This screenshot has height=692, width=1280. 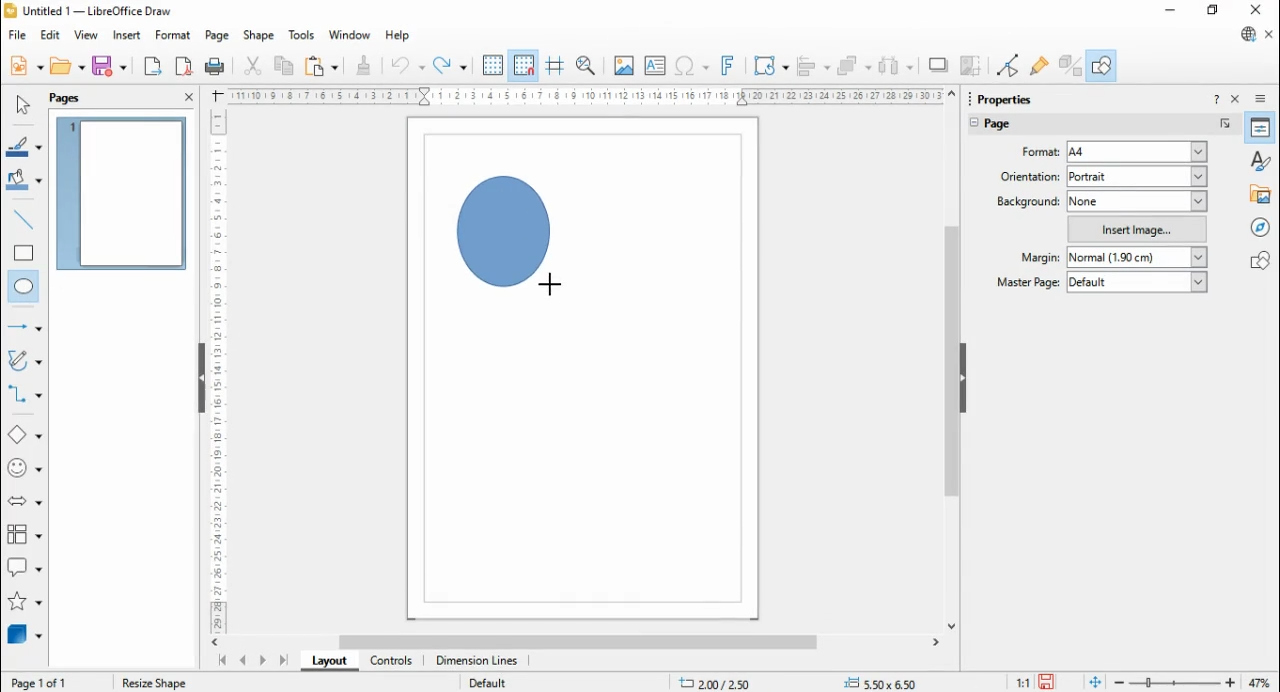 What do you see at coordinates (398, 36) in the screenshot?
I see `help` at bounding box center [398, 36].